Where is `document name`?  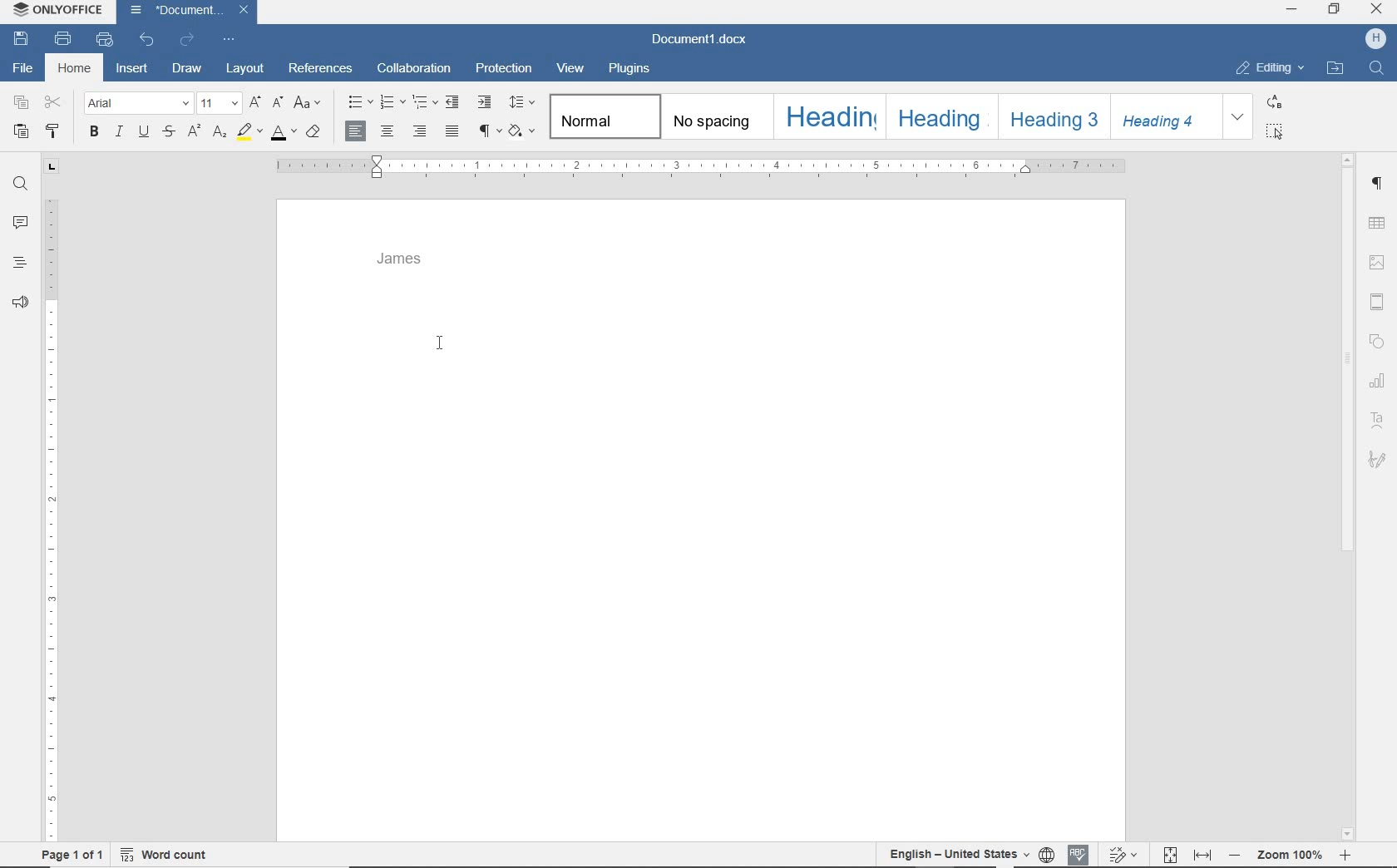
document name is located at coordinates (175, 11).